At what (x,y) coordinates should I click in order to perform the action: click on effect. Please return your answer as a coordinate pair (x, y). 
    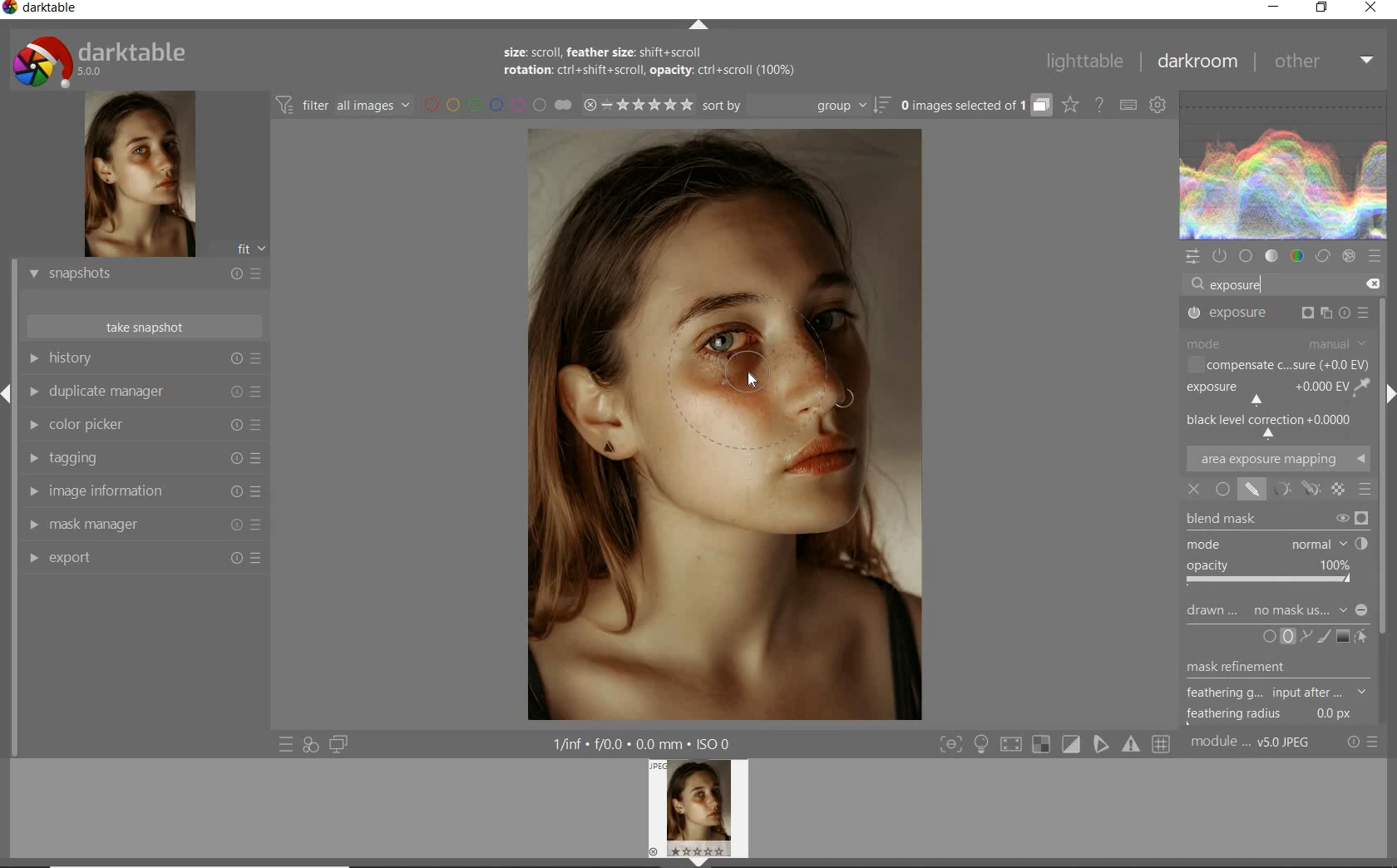
    Looking at the image, I should click on (1348, 256).